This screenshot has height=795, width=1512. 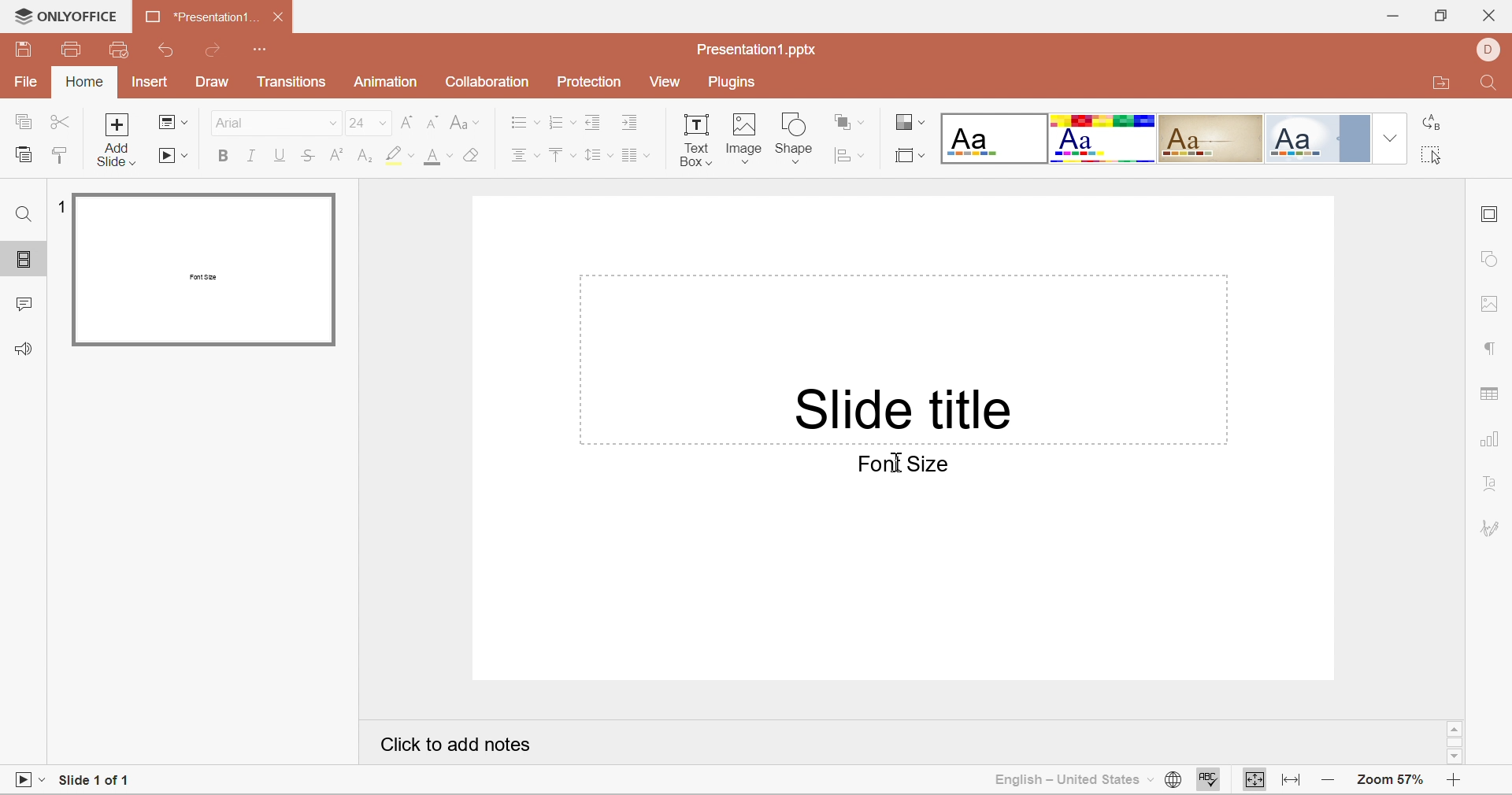 What do you see at coordinates (385, 125) in the screenshot?
I see `Drop Down` at bounding box center [385, 125].